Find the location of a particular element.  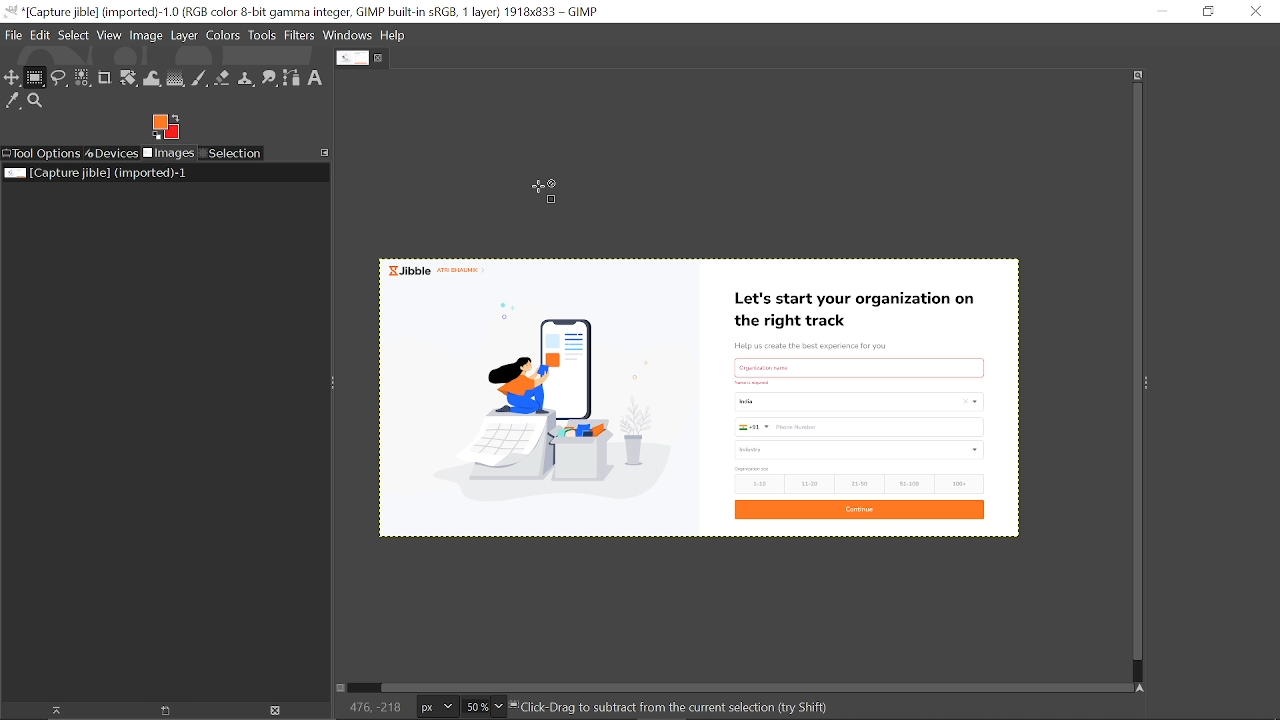

Close  is located at coordinates (1257, 11).